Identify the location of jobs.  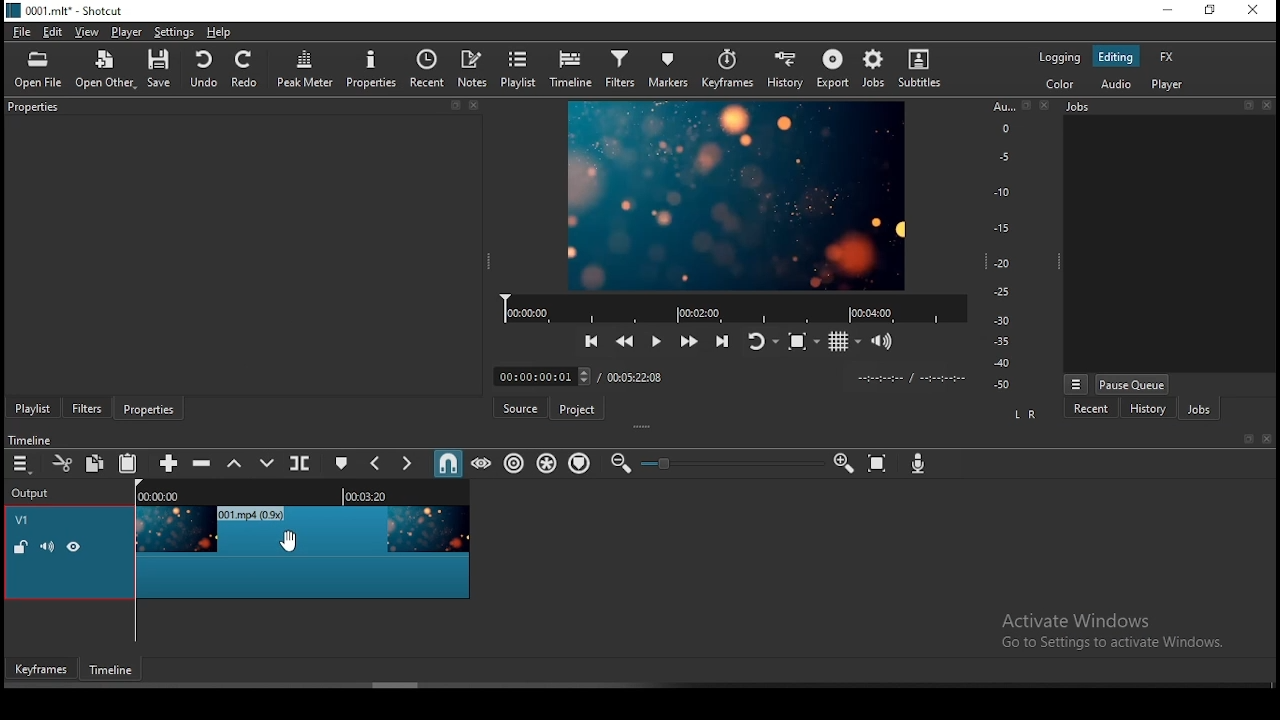
(1167, 108).